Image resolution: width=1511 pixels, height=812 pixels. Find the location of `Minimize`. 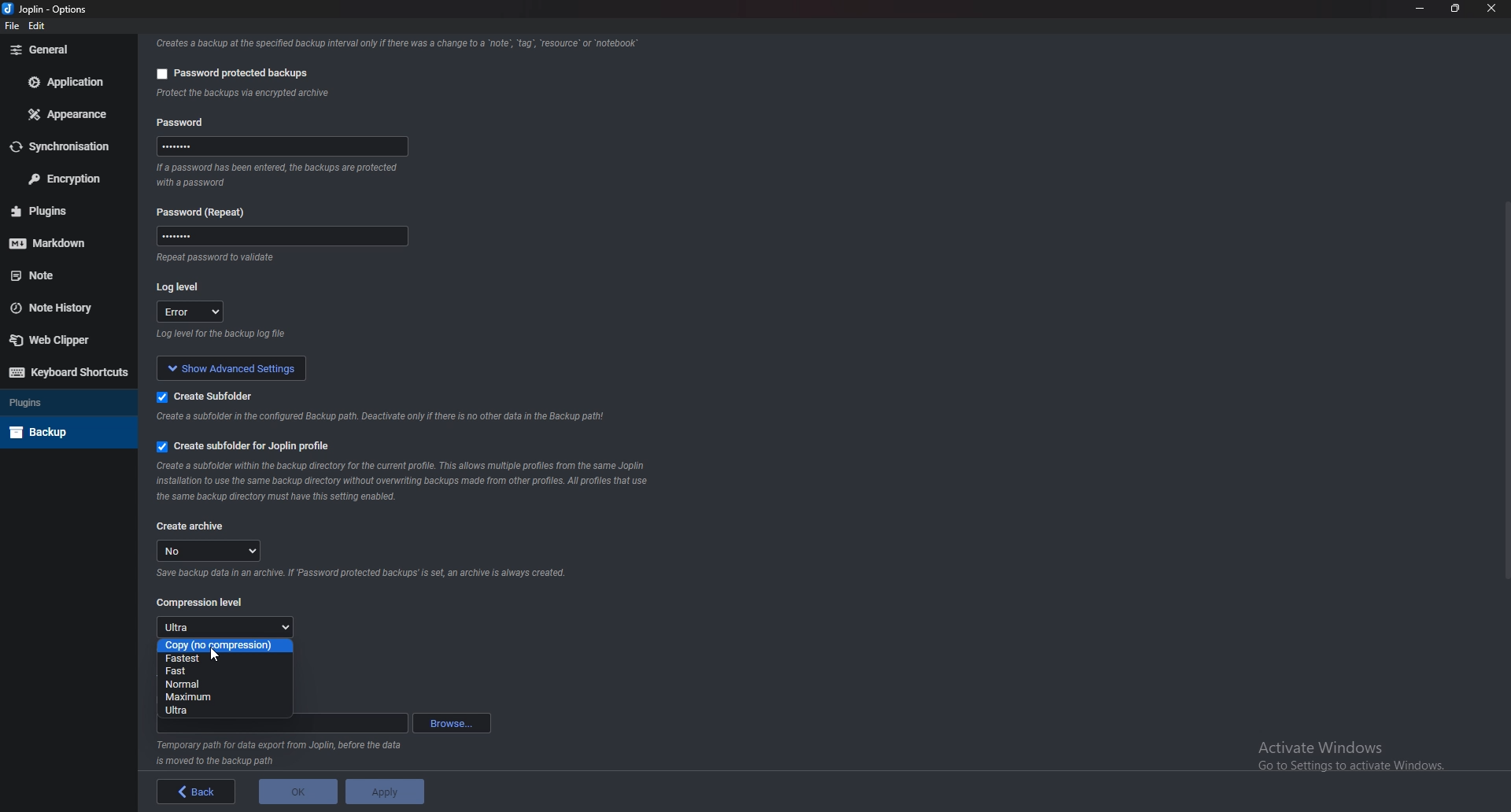

Minimize is located at coordinates (1422, 9).